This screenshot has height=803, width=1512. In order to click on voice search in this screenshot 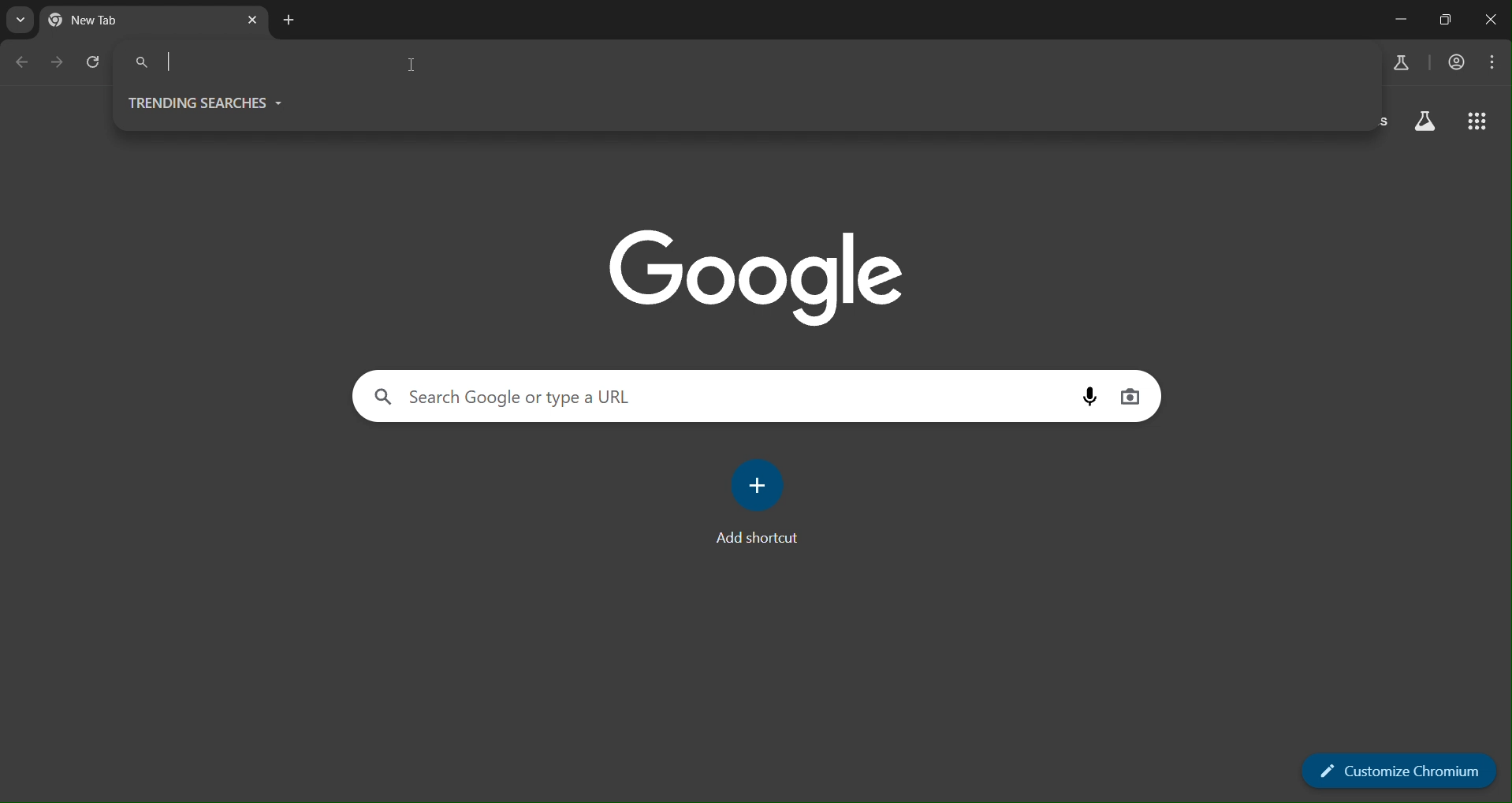, I will do `click(1089, 398)`.